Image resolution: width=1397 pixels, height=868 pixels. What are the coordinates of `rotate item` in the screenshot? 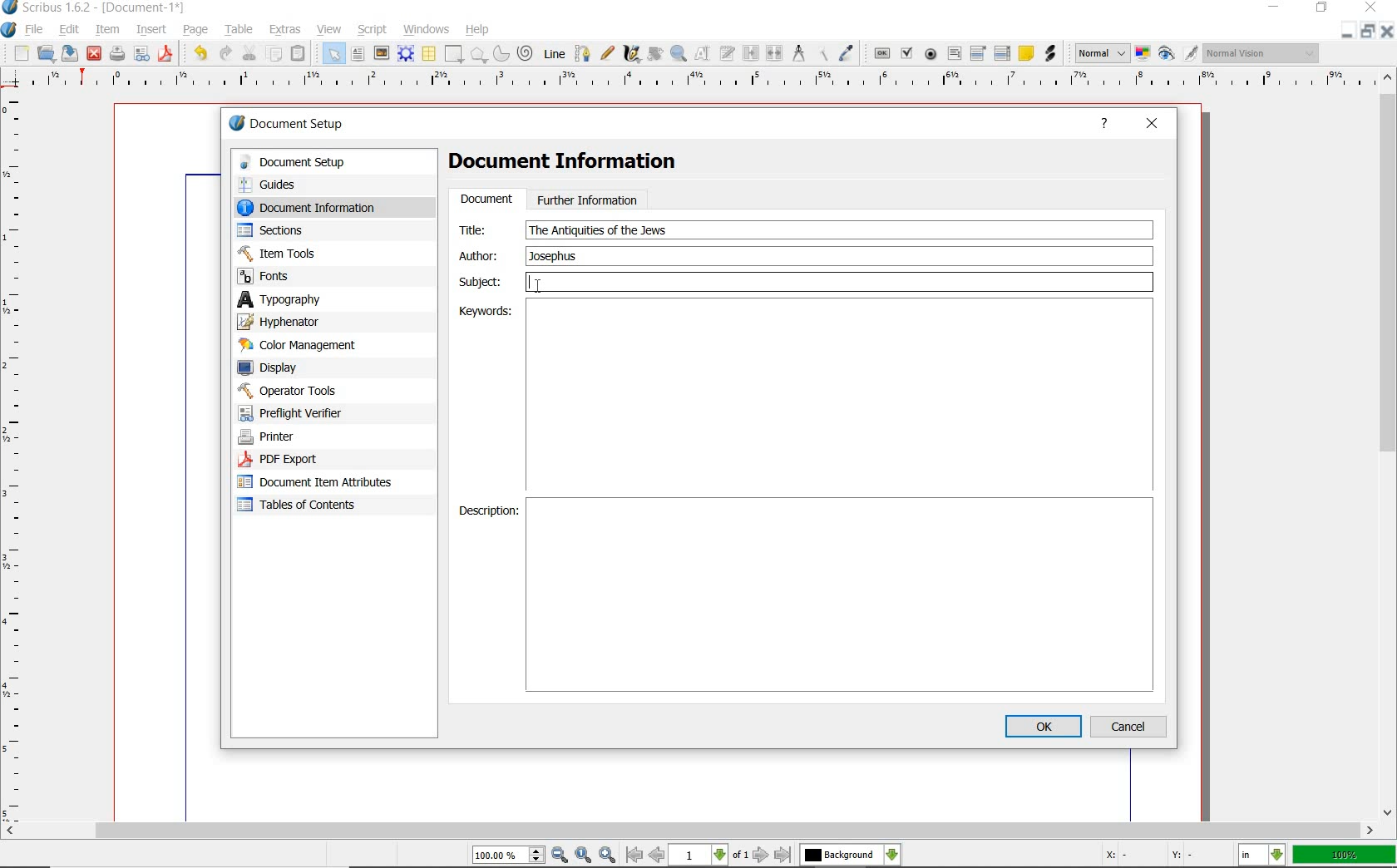 It's located at (655, 55).